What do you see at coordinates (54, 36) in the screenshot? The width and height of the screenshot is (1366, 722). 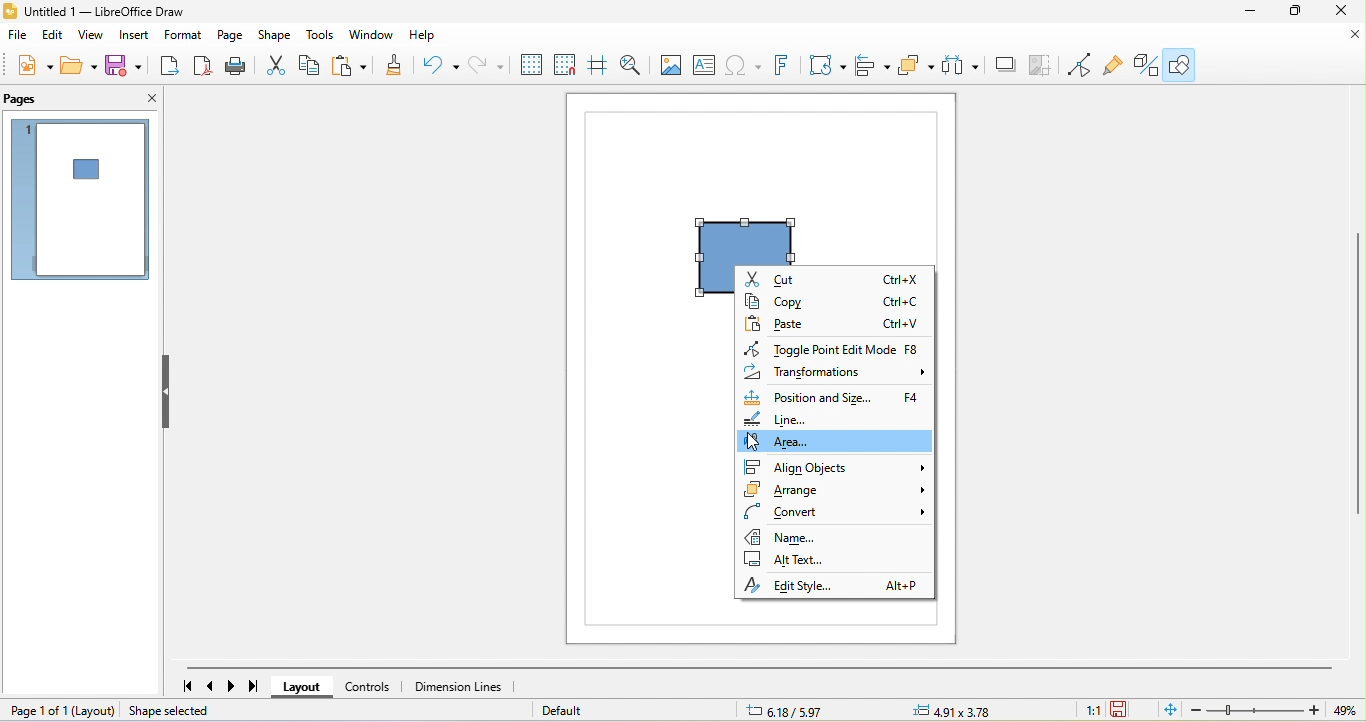 I see `edit` at bounding box center [54, 36].